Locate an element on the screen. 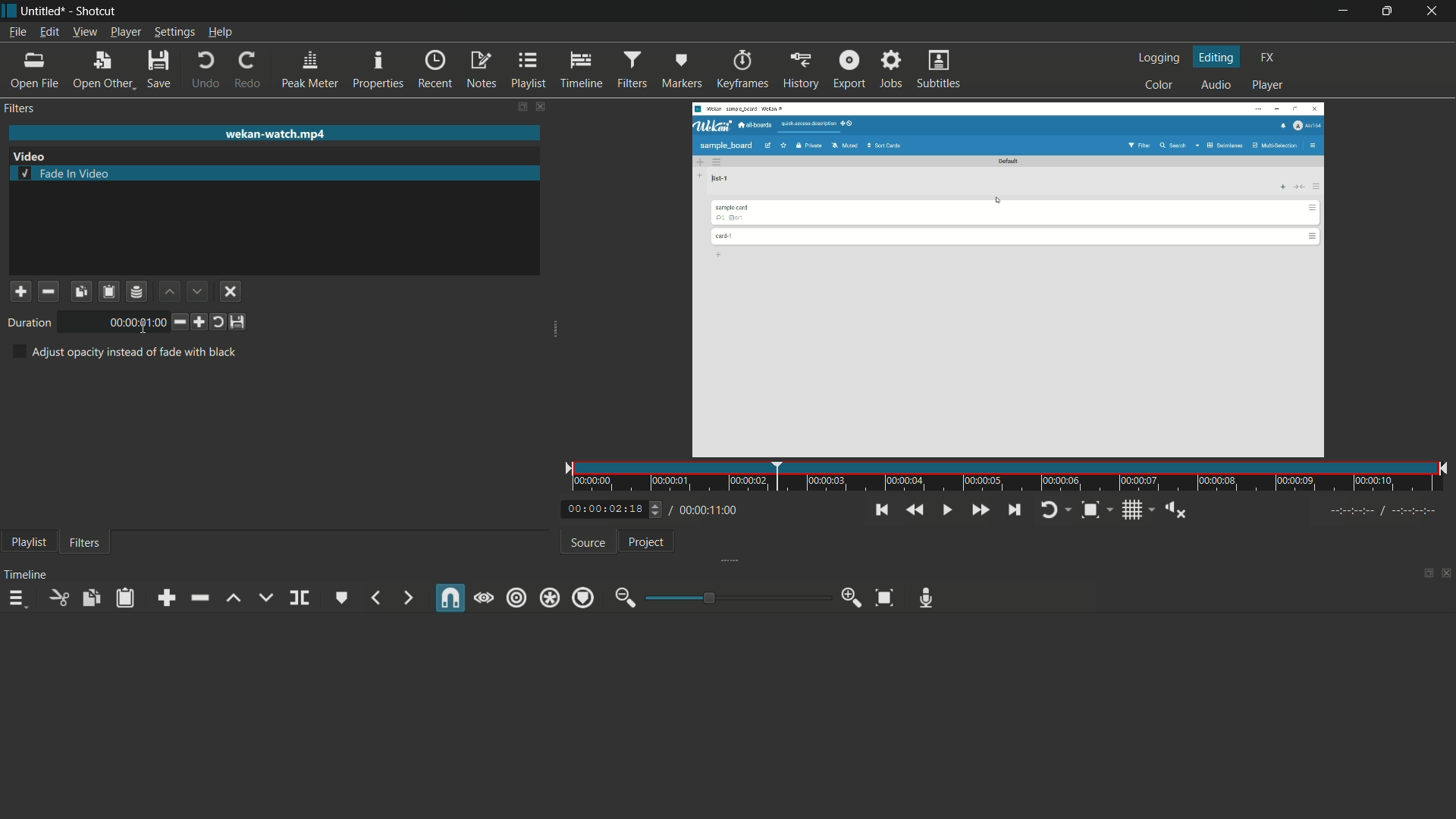  set as default is located at coordinates (239, 322).